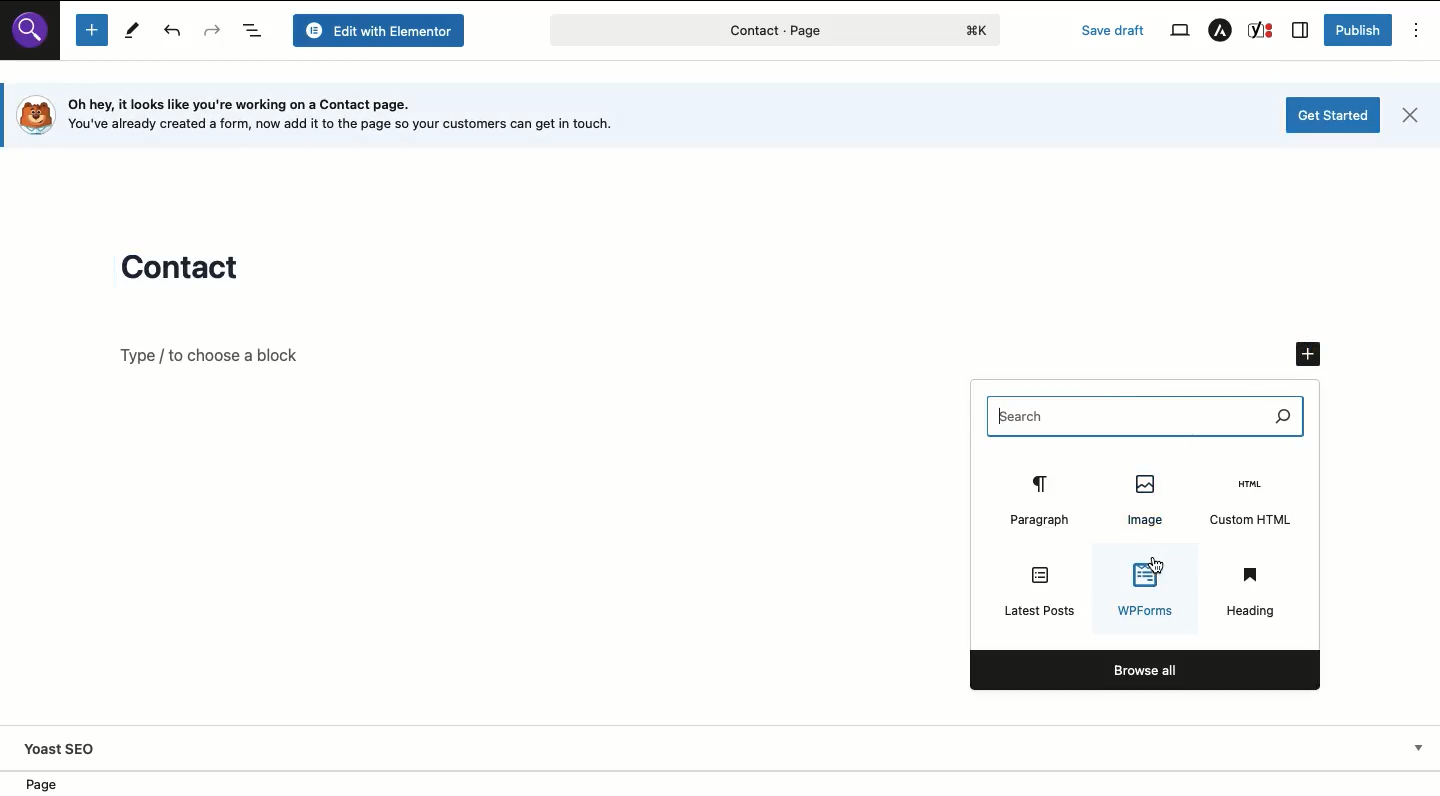 This screenshot has height=796, width=1440. What do you see at coordinates (1417, 30) in the screenshot?
I see `Options` at bounding box center [1417, 30].